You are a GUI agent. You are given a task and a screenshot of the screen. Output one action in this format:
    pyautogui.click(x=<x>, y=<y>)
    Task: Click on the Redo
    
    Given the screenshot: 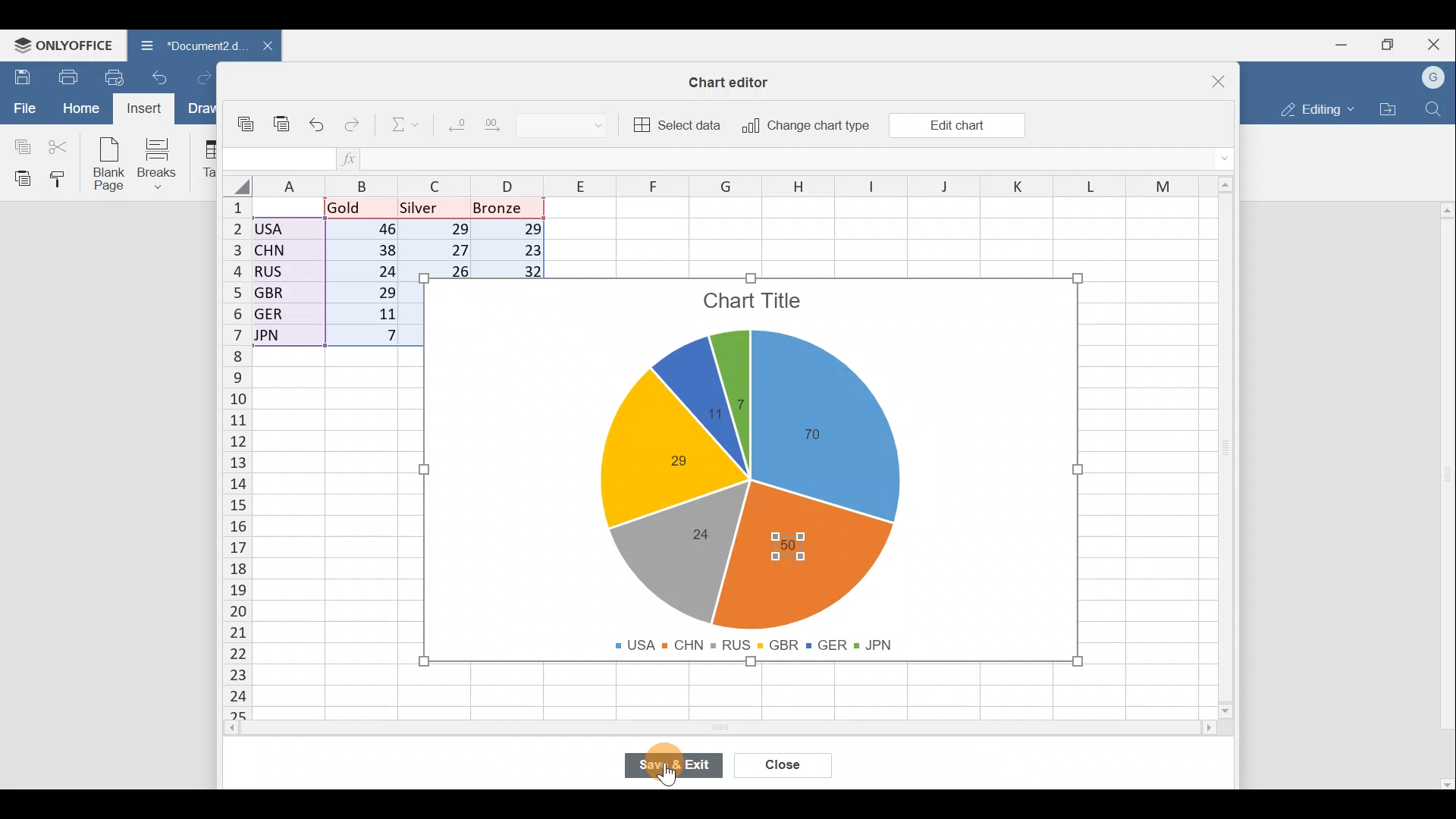 What is the action you would take?
    pyautogui.click(x=210, y=79)
    